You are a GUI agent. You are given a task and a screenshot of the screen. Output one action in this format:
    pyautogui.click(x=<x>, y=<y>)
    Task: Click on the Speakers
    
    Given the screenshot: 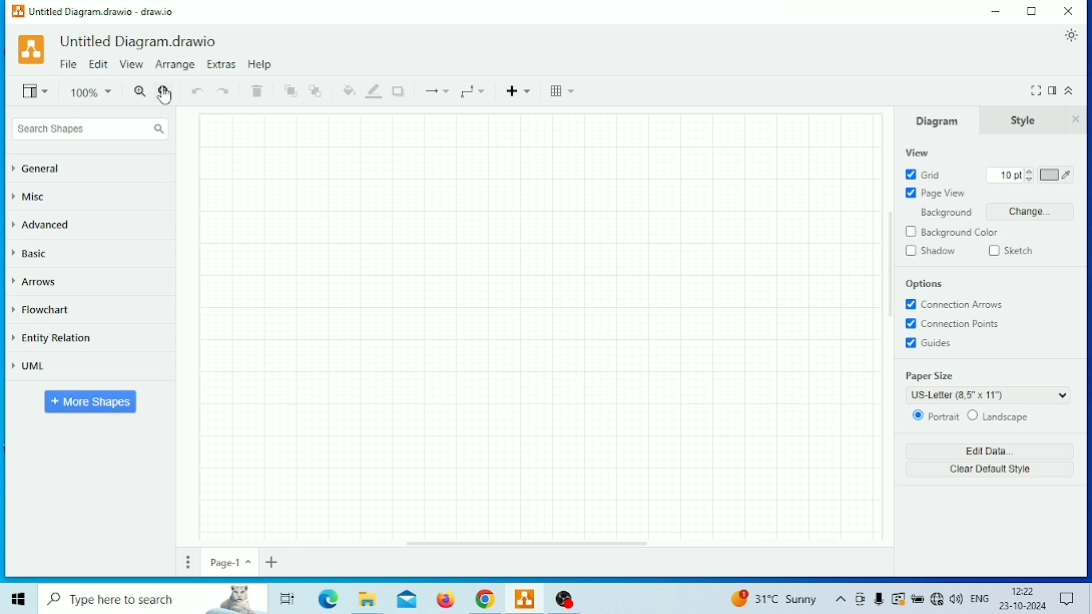 What is the action you would take?
    pyautogui.click(x=956, y=598)
    